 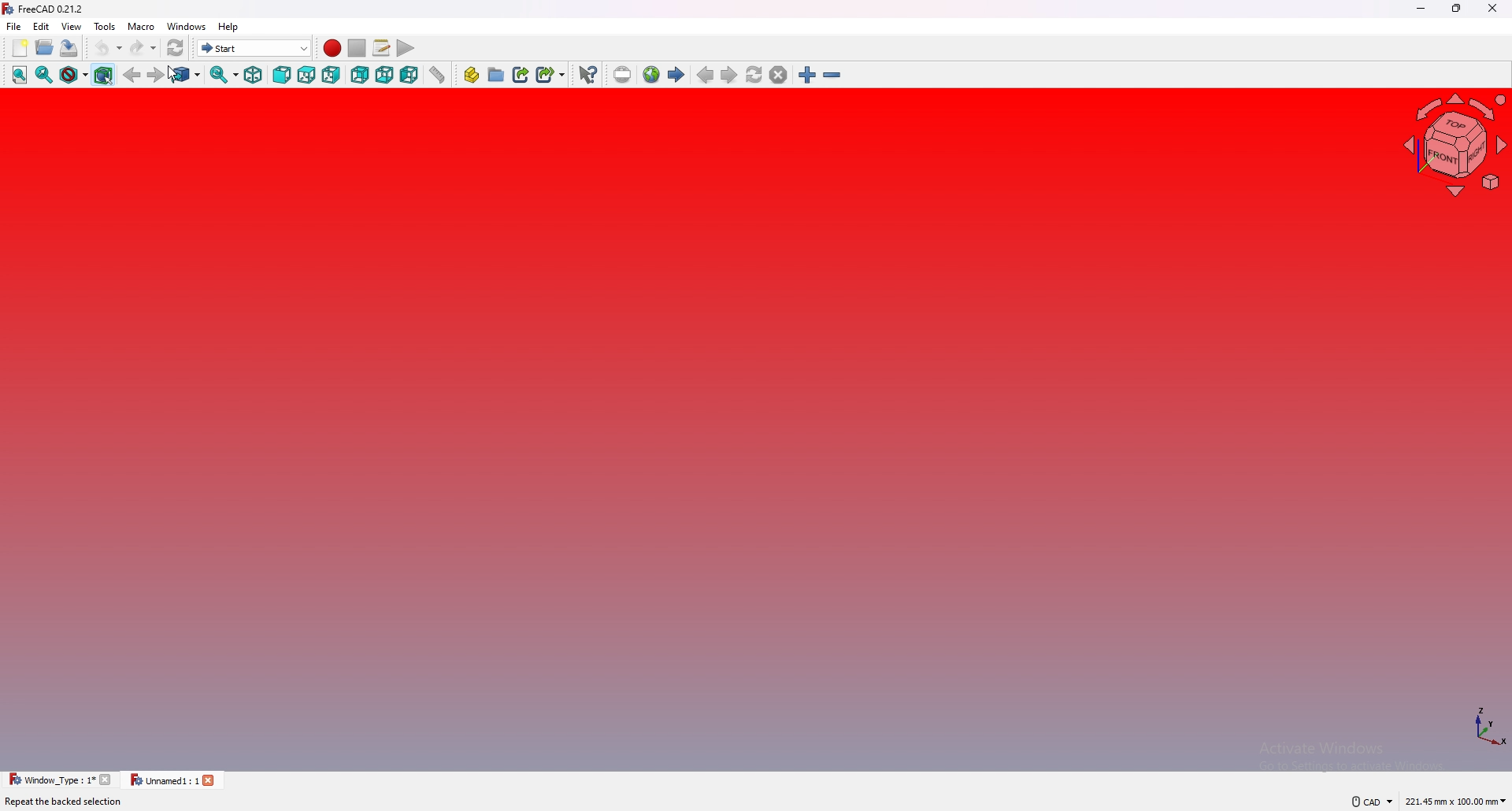 I want to click on bottom, so click(x=385, y=74).